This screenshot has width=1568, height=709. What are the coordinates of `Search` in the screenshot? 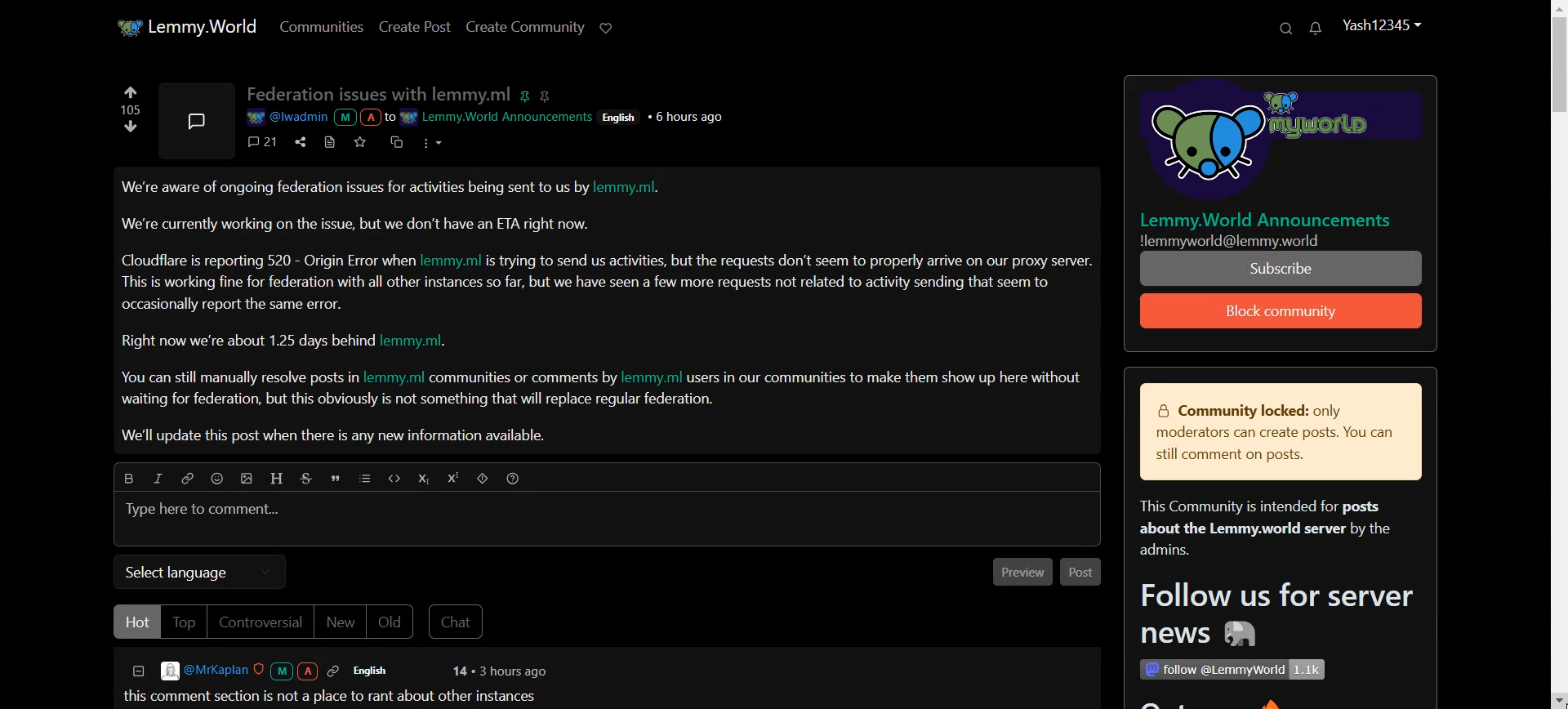 It's located at (1285, 29).